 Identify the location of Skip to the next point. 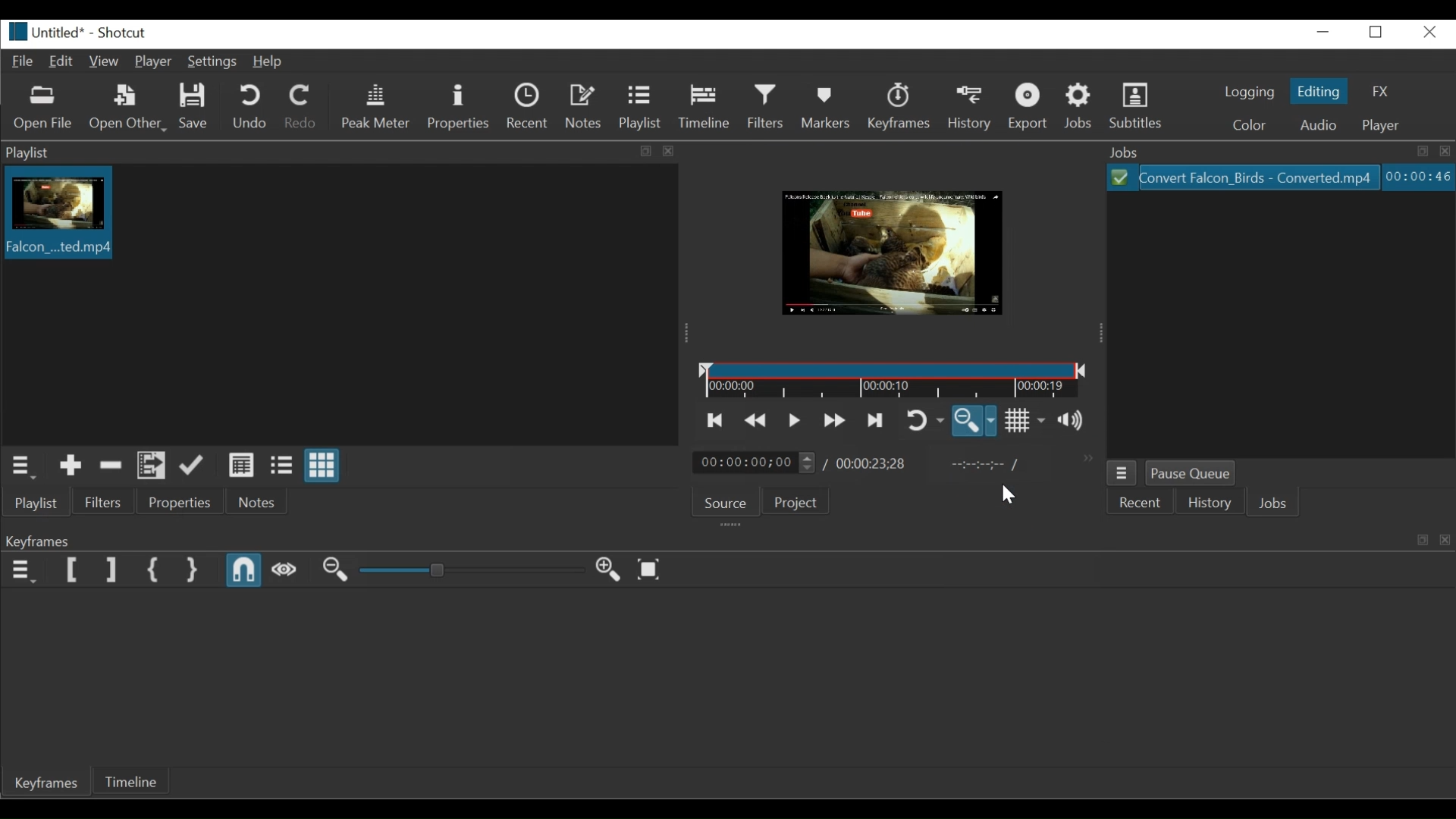
(875, 421).